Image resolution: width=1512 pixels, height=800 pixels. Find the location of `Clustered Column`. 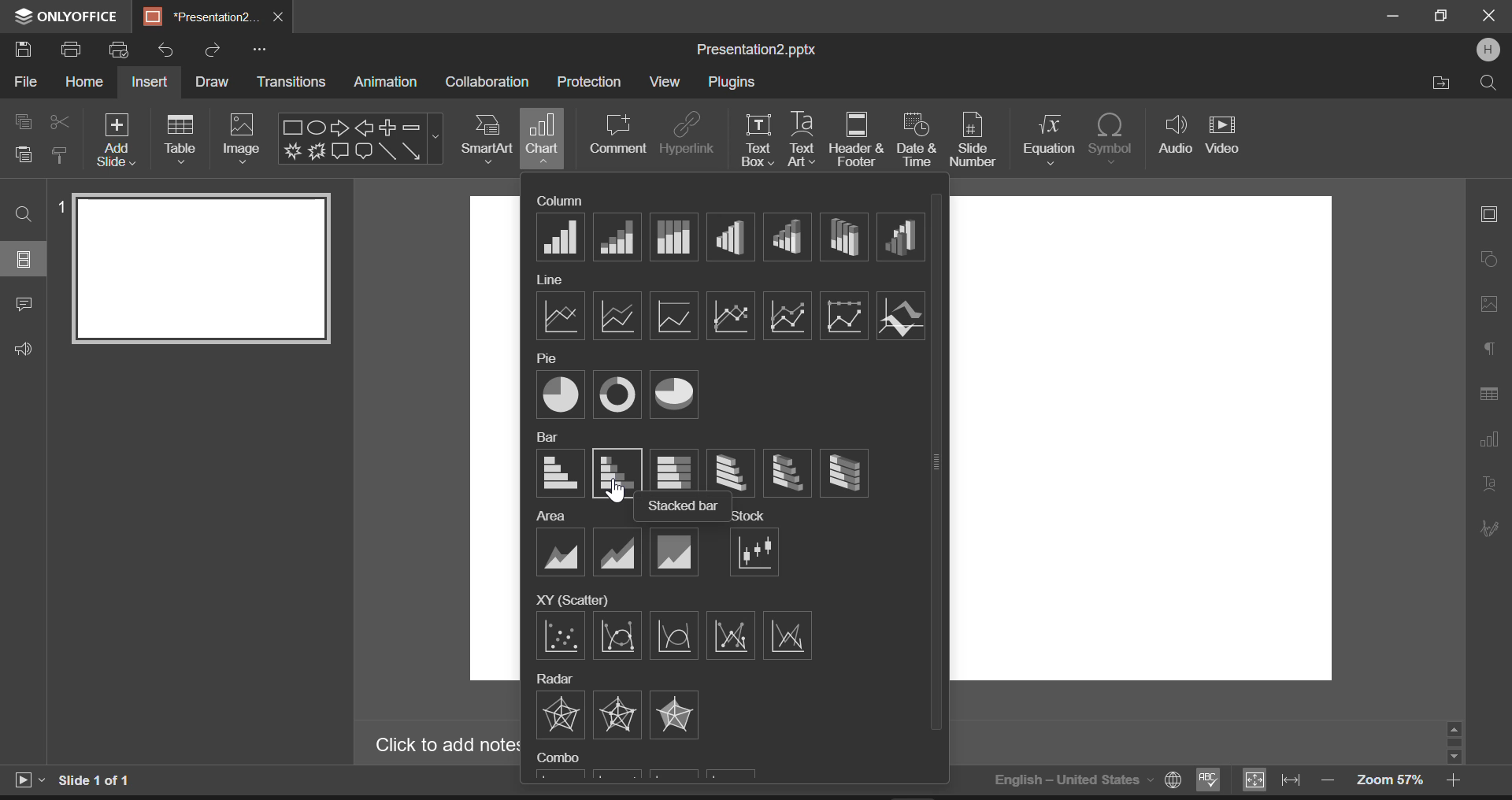

Clustered Column is located at coordinates (559, 237).